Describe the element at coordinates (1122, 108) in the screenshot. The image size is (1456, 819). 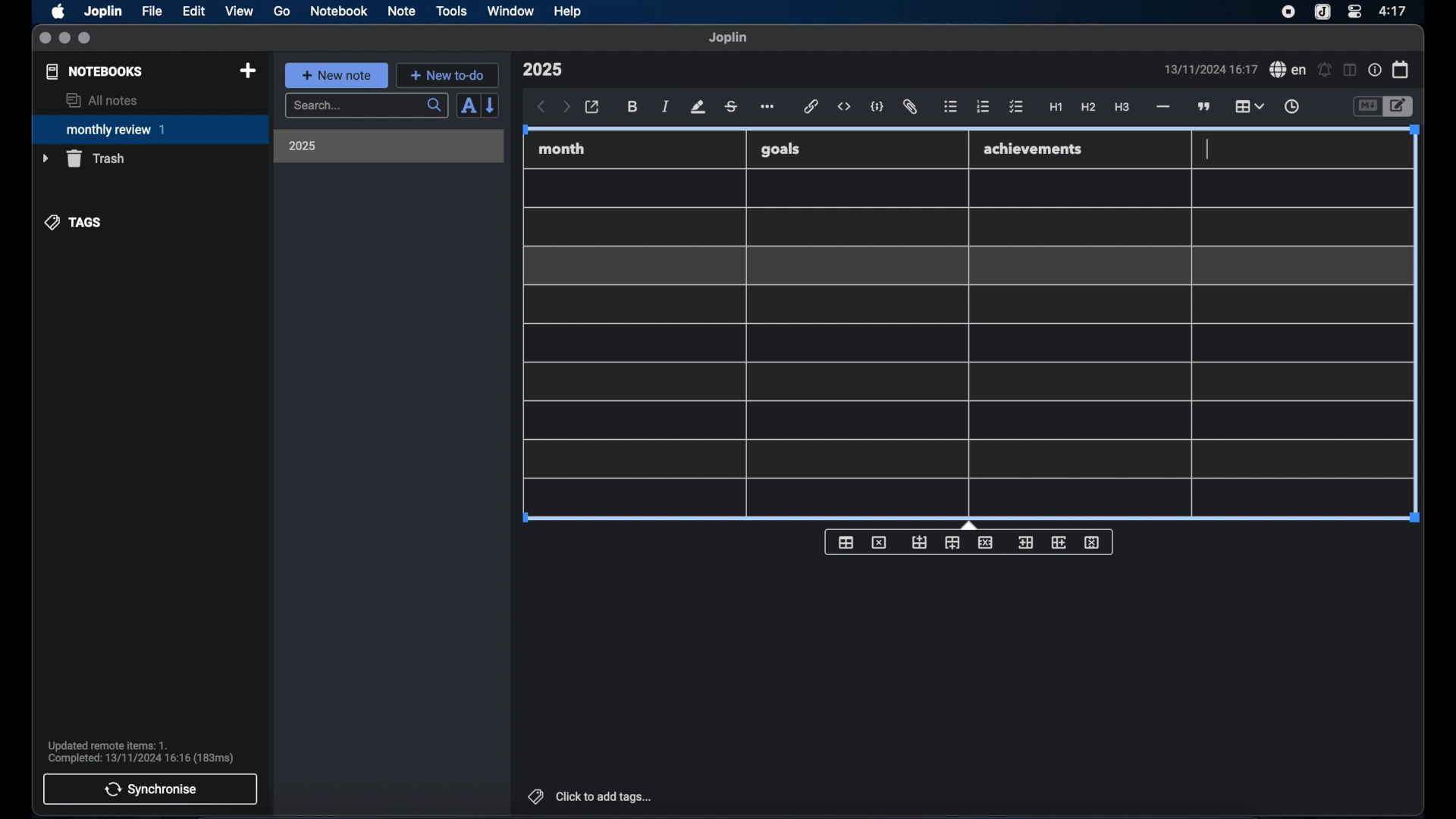
I see `heading 3` at that location.